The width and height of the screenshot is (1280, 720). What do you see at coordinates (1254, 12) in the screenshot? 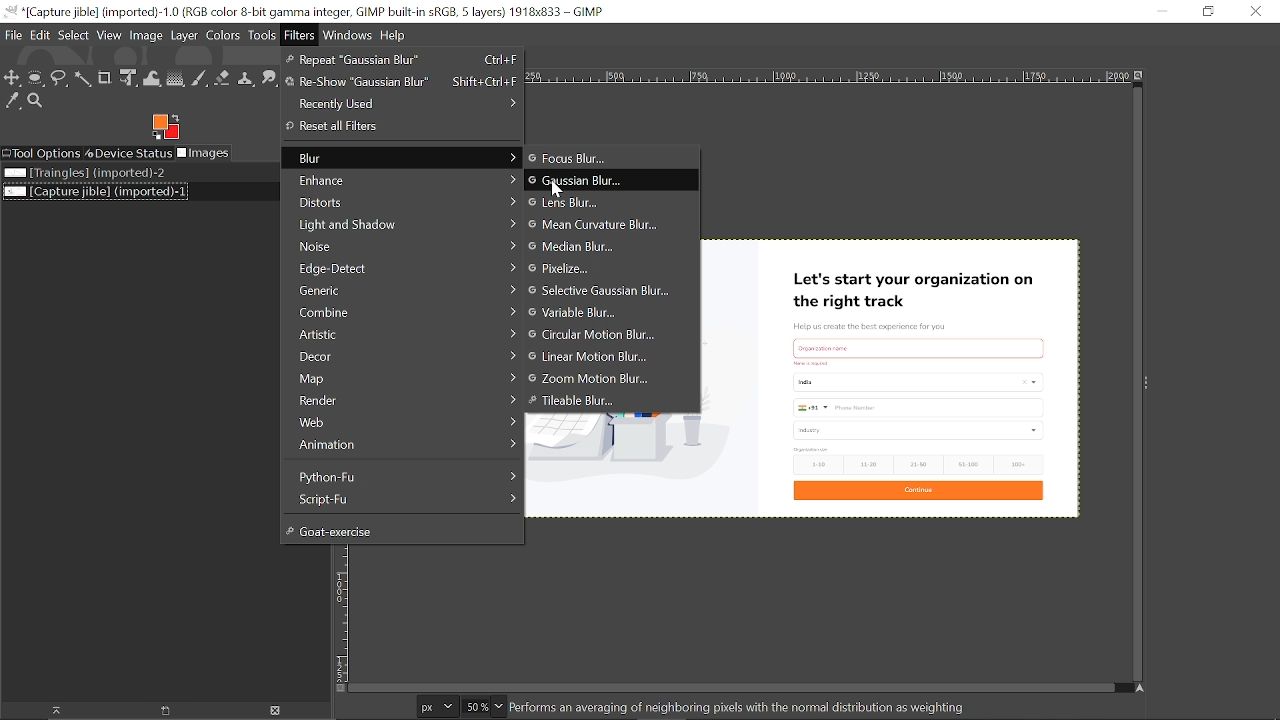
I see `Close` at bounding box center [1254, 12].